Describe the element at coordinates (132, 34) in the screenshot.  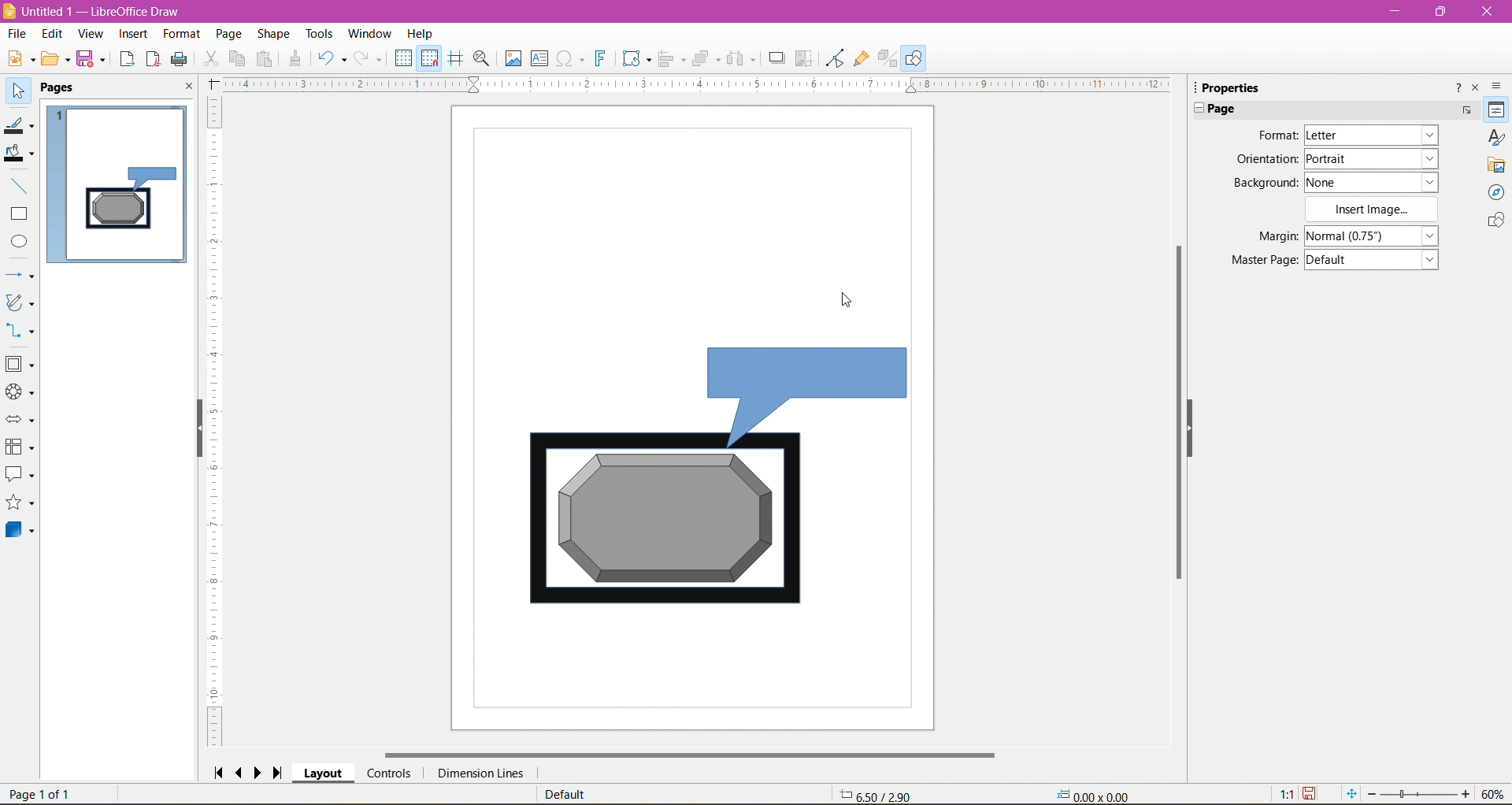
I see `Insert` at that location.